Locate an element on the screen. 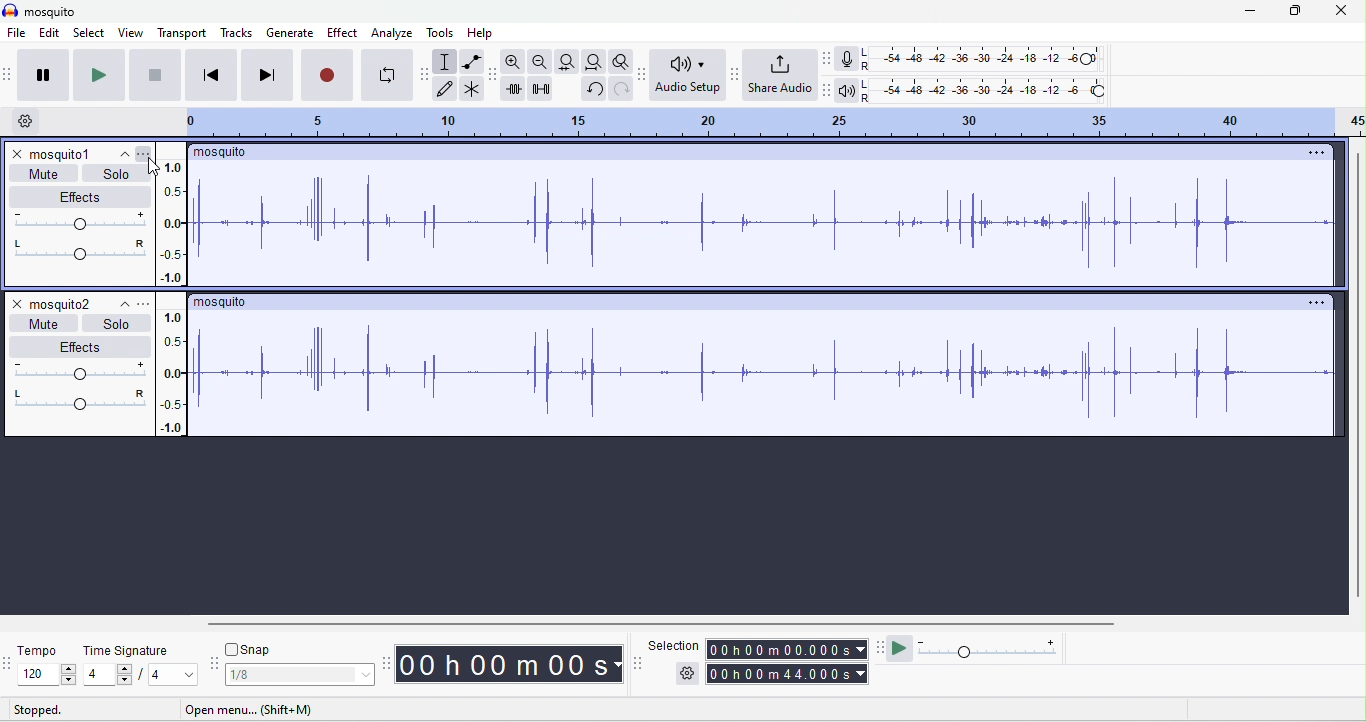  selection time tool is located at coordinates (639, 663).